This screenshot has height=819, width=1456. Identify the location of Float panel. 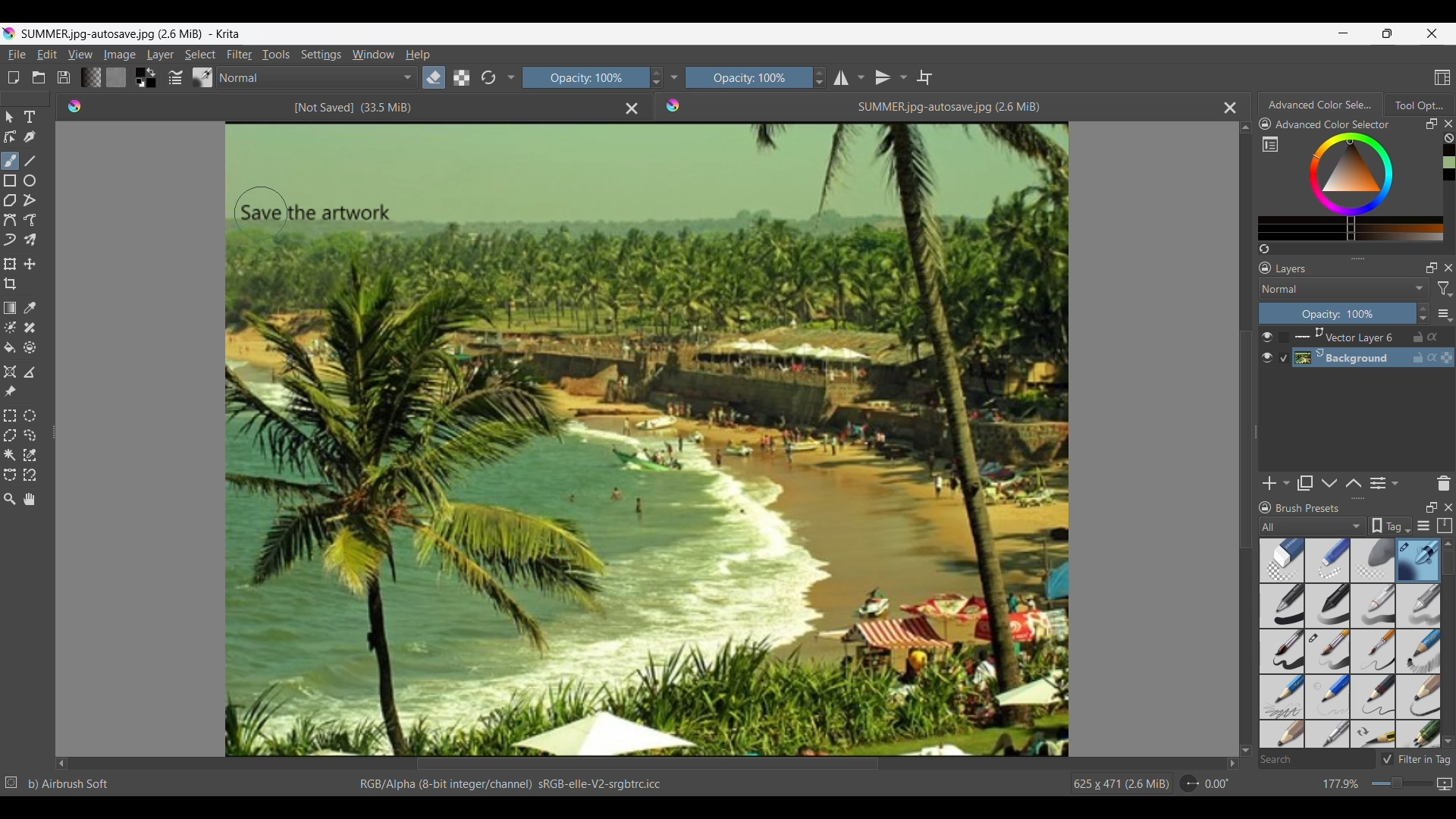
(1432, 124).